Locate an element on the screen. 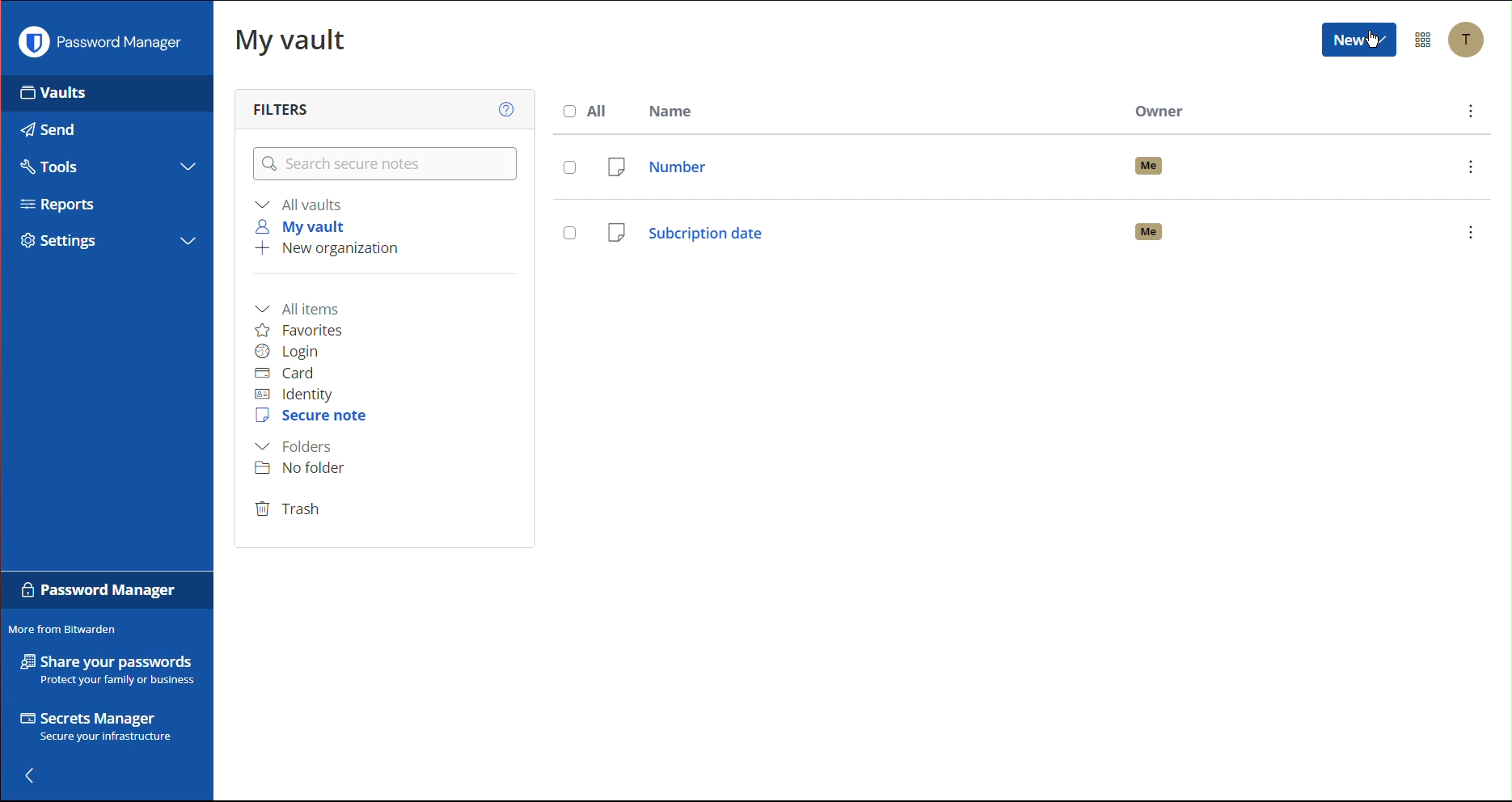  Send is located at coordinates (48, 129).